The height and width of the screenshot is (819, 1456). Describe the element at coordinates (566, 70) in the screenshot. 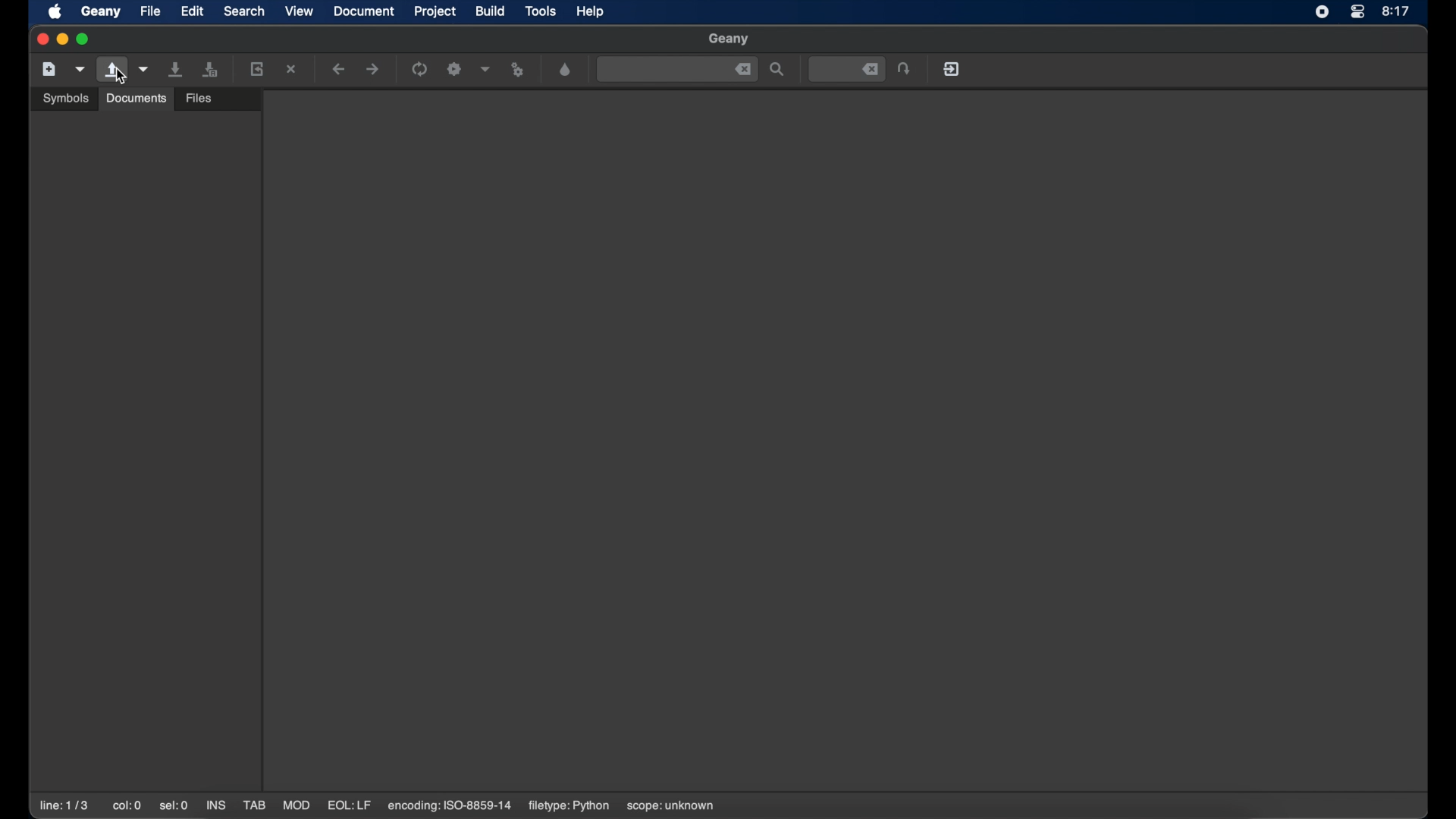

I see `open a color chooser dialog` at that location.